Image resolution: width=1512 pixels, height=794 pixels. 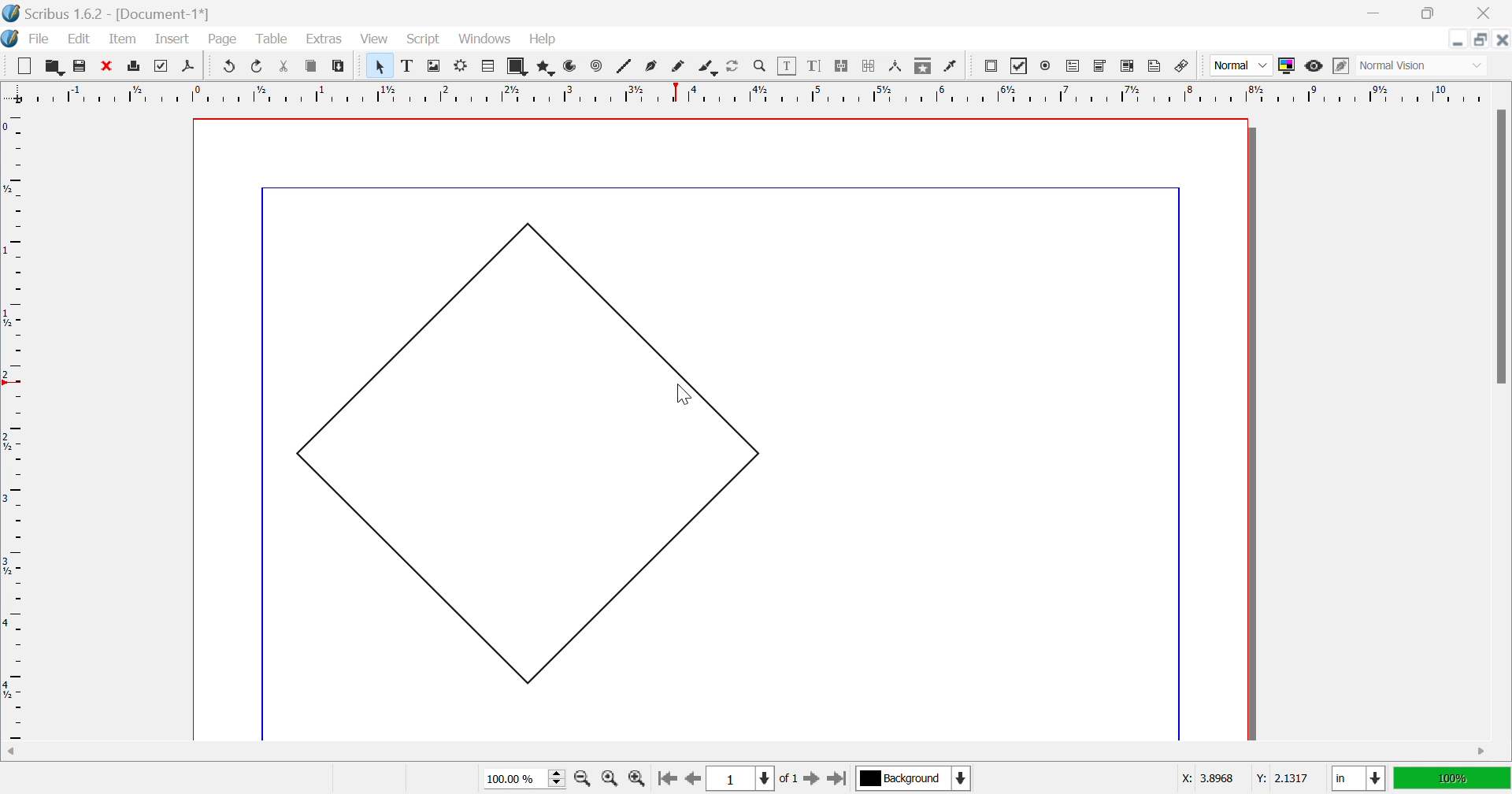 What do you see at coordinates (746, 92) in the screenshot?
I see `Ruler` at bounding box center [746, 92].